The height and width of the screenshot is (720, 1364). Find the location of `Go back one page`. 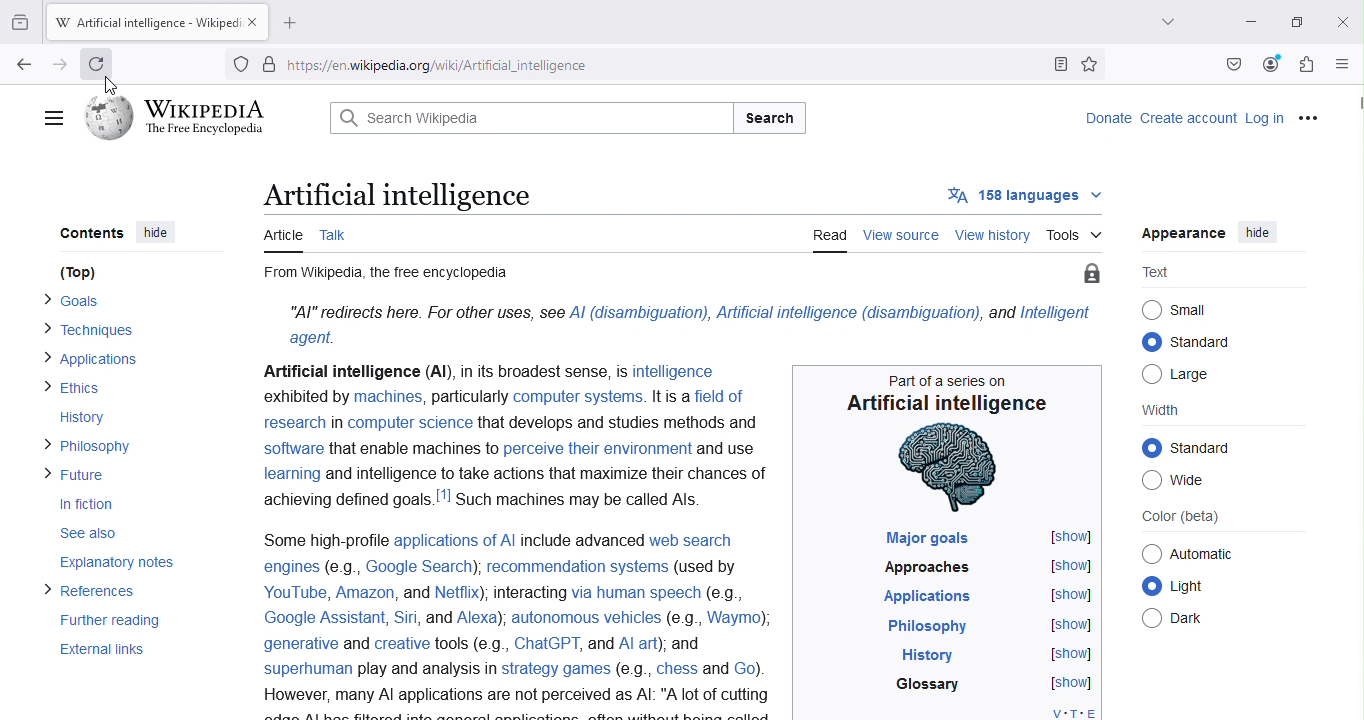

Go back one page is located at coordinates (60, 65).